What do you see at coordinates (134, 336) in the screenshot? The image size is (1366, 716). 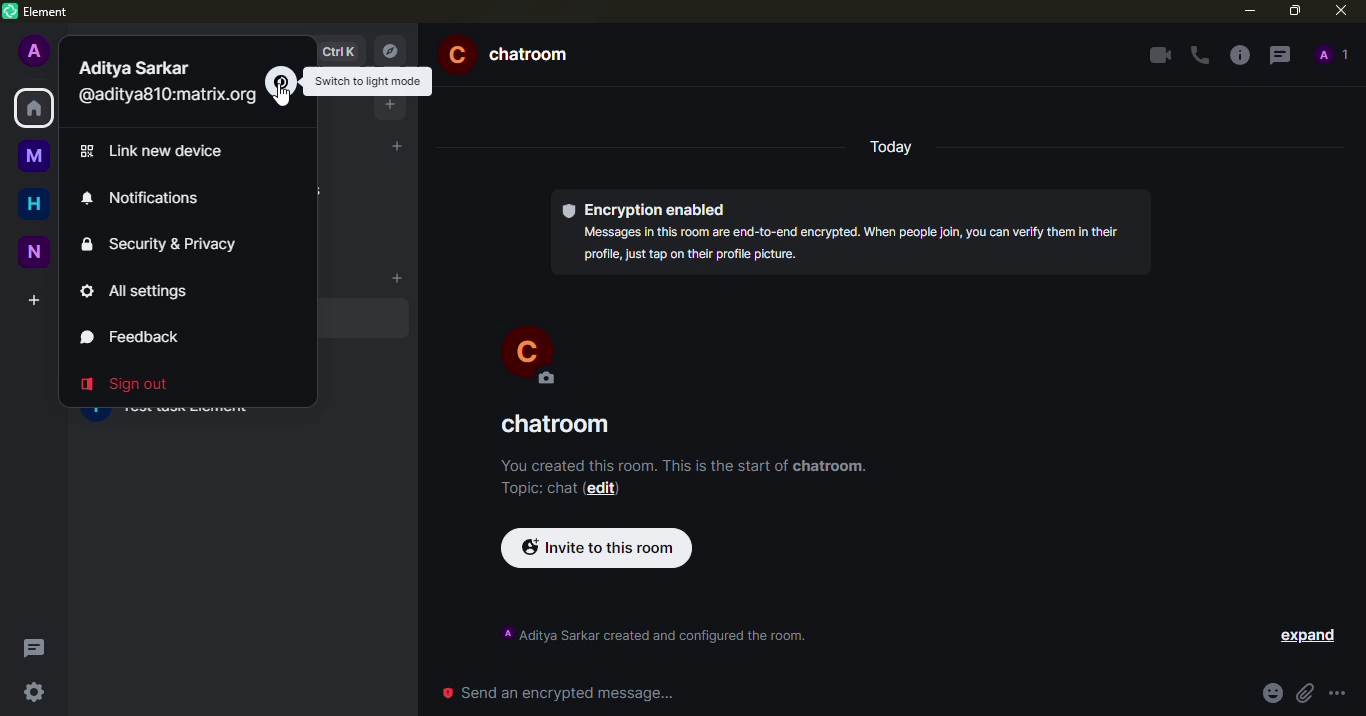 I see `feedback` at bounding box center [134, 336].